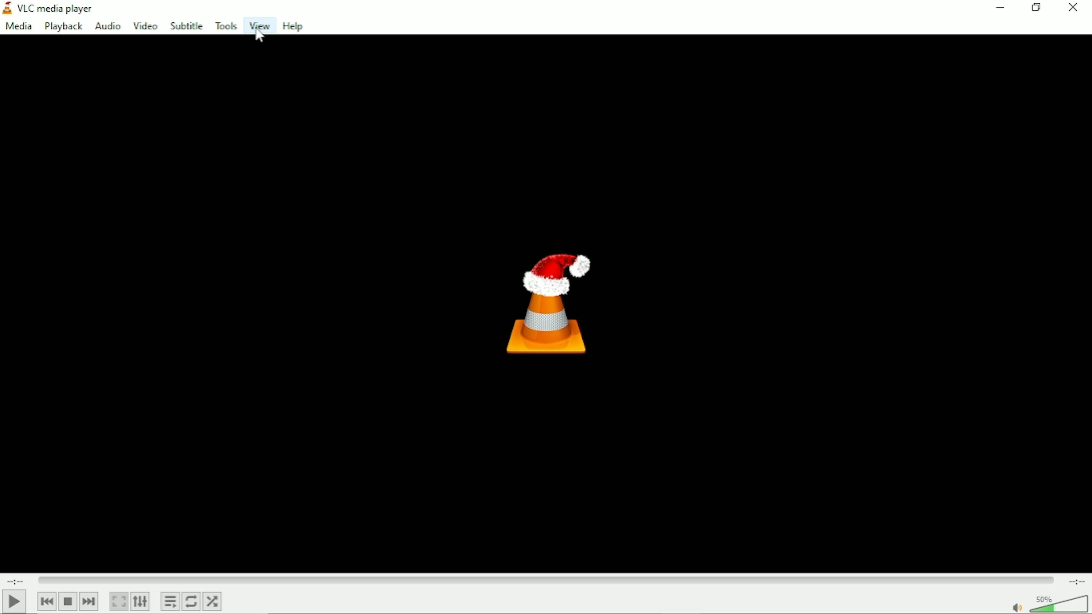  Describe the element at coordinates (89, 601) in the screenshot. I see `Next` at that location.